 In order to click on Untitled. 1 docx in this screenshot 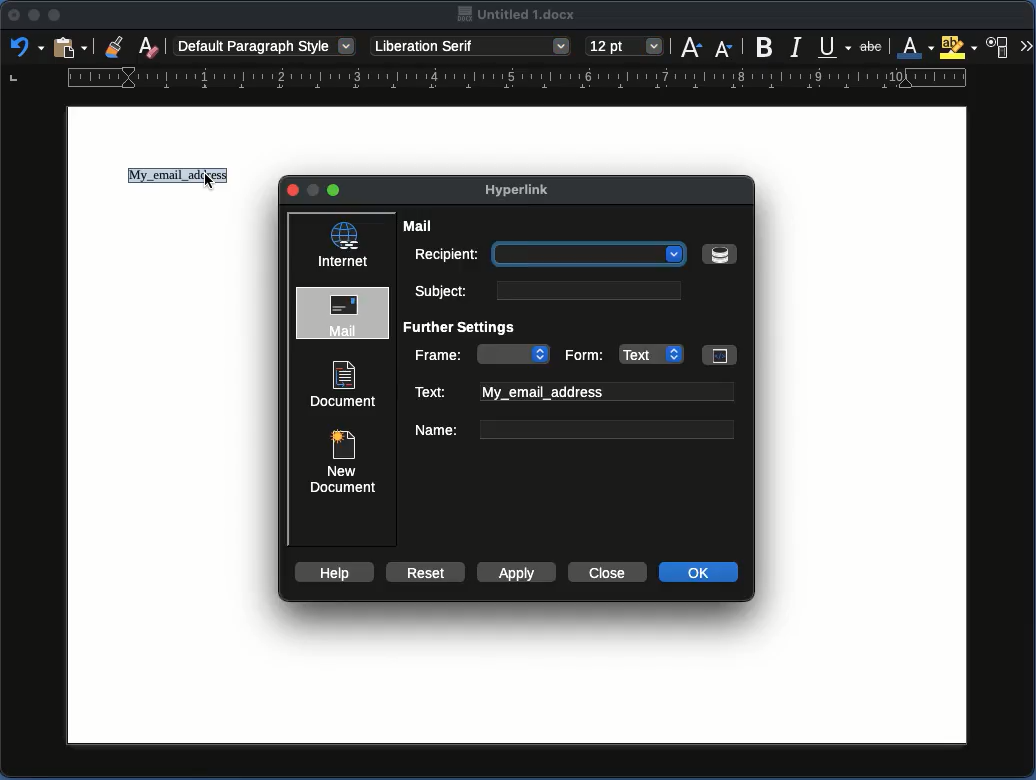, I will do `click(518, 15)`.